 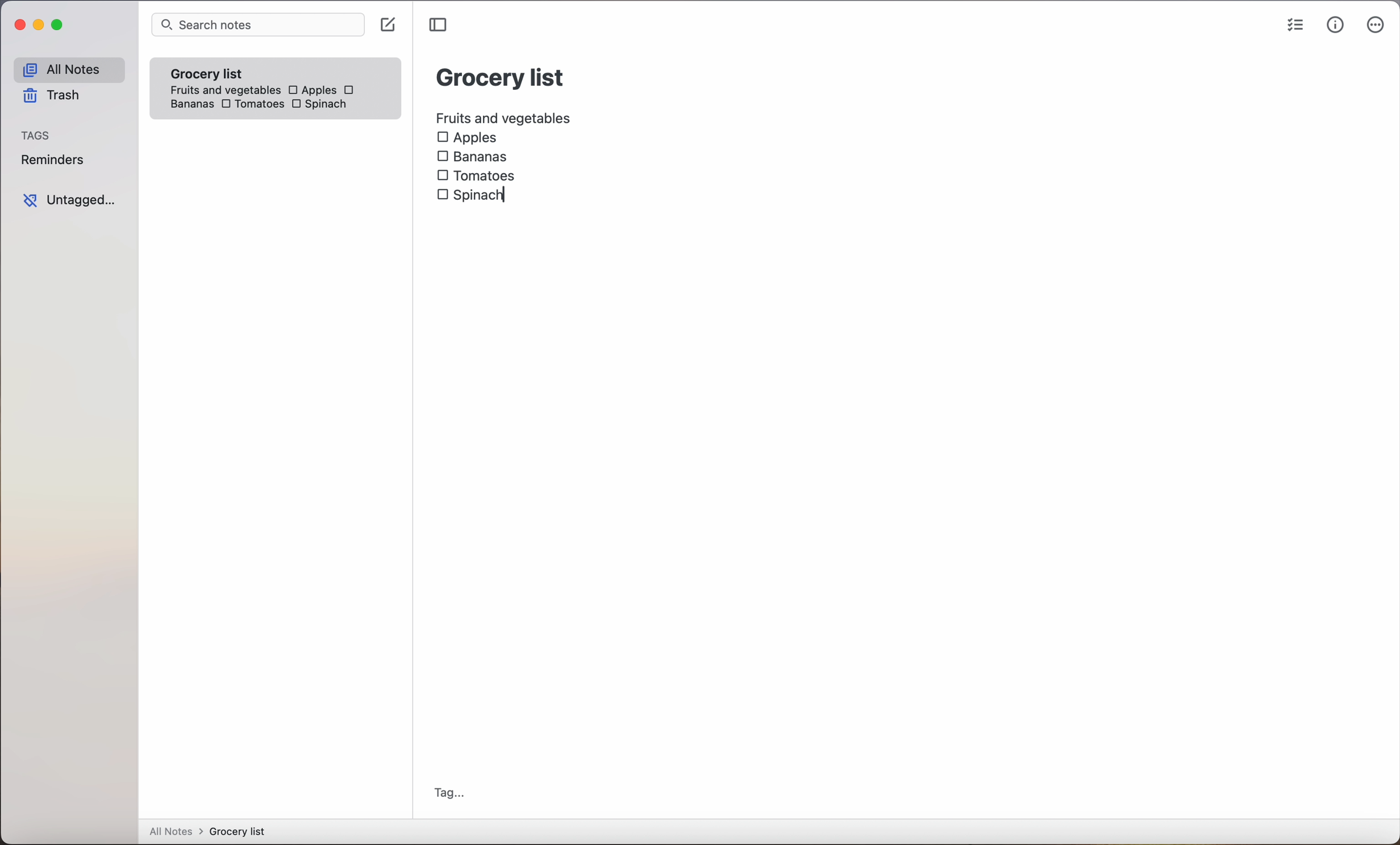 I want to click on Bananas checkbox, so click(x=474, y=154).